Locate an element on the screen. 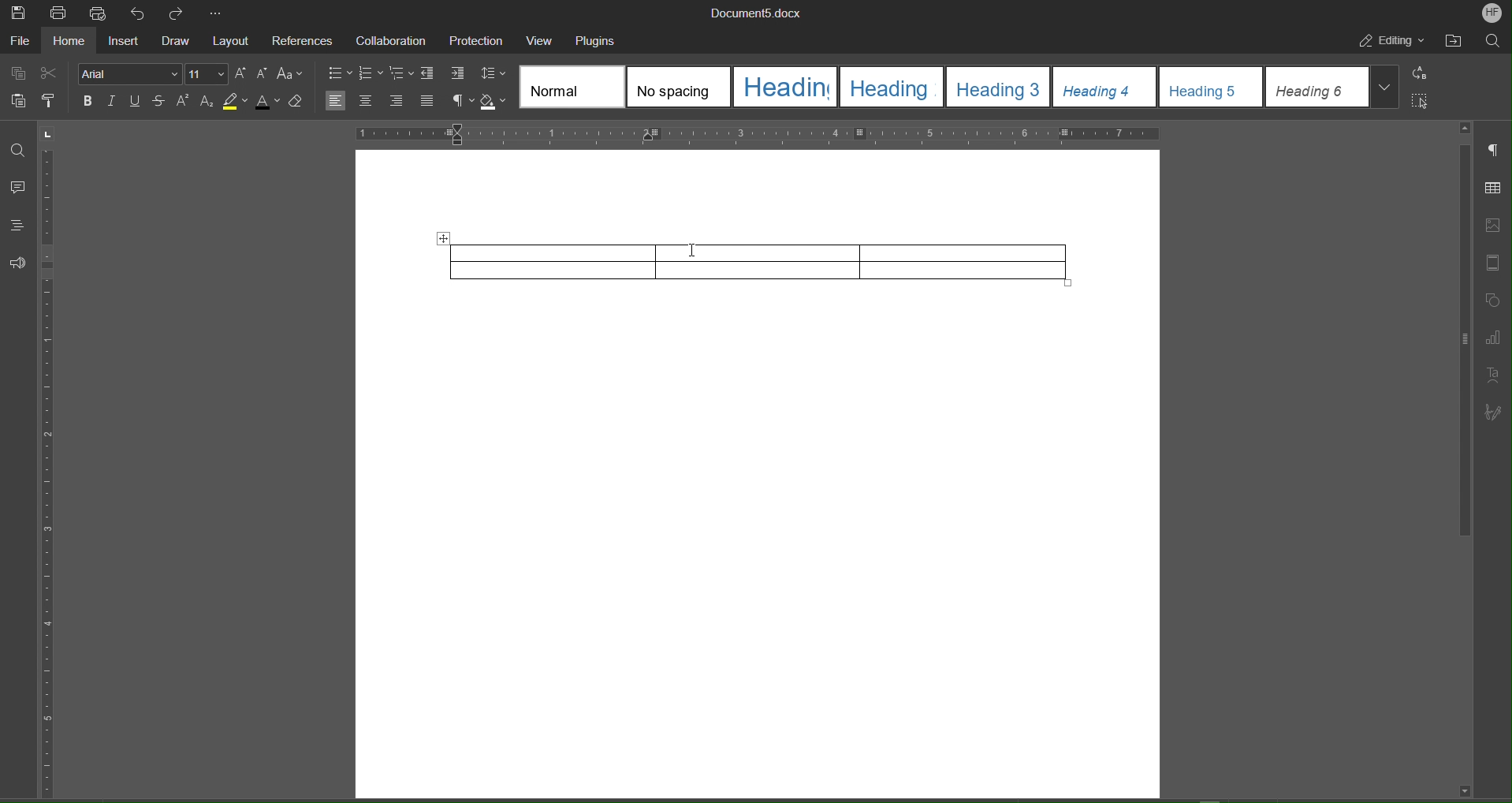 Image resolution: width=1512 pixels, height=803 pixels. Cursor is located at coordinates (692, 251).